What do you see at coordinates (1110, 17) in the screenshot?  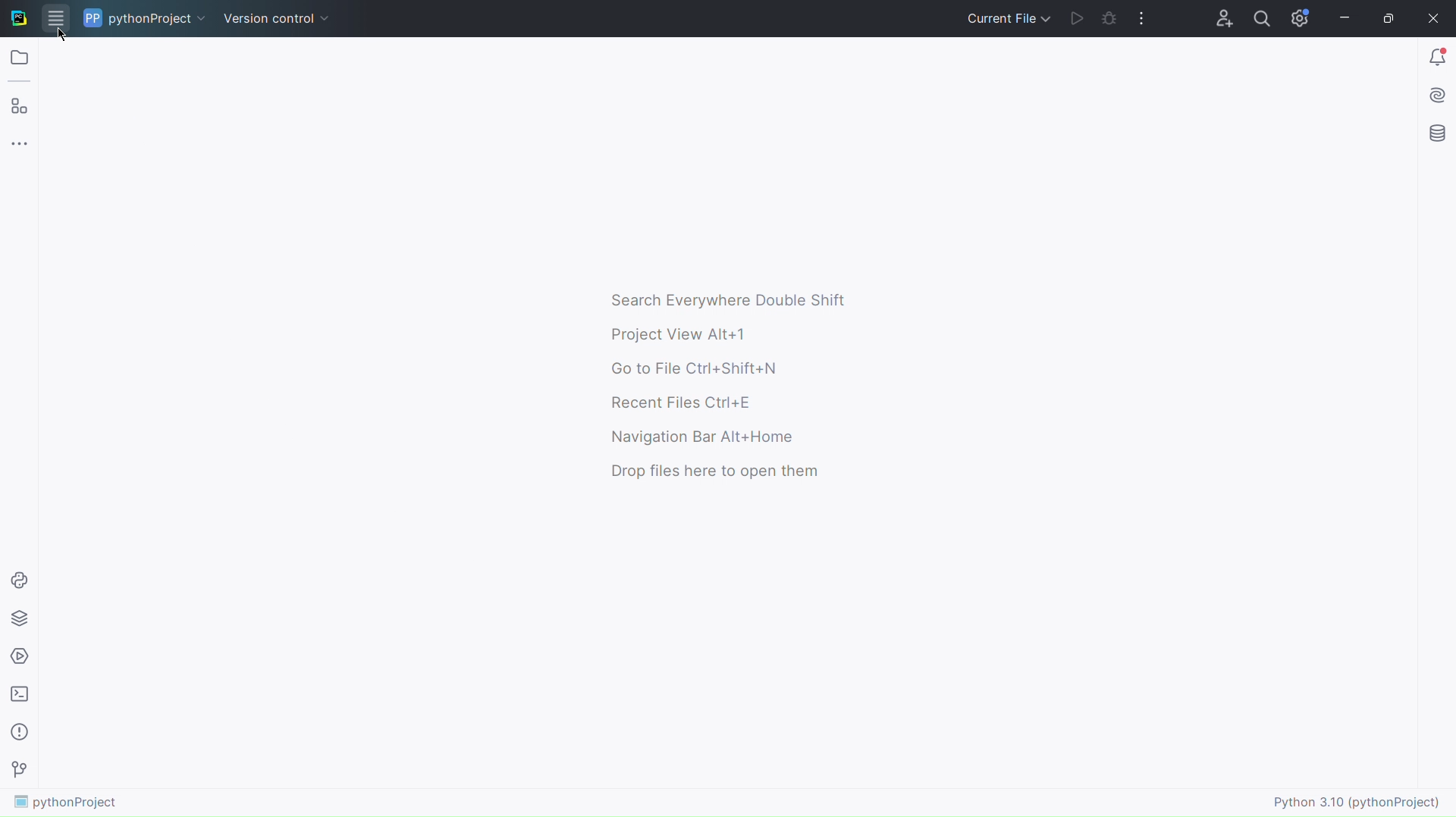 I see `Check Bugs` at bounding box center [1110, 17].